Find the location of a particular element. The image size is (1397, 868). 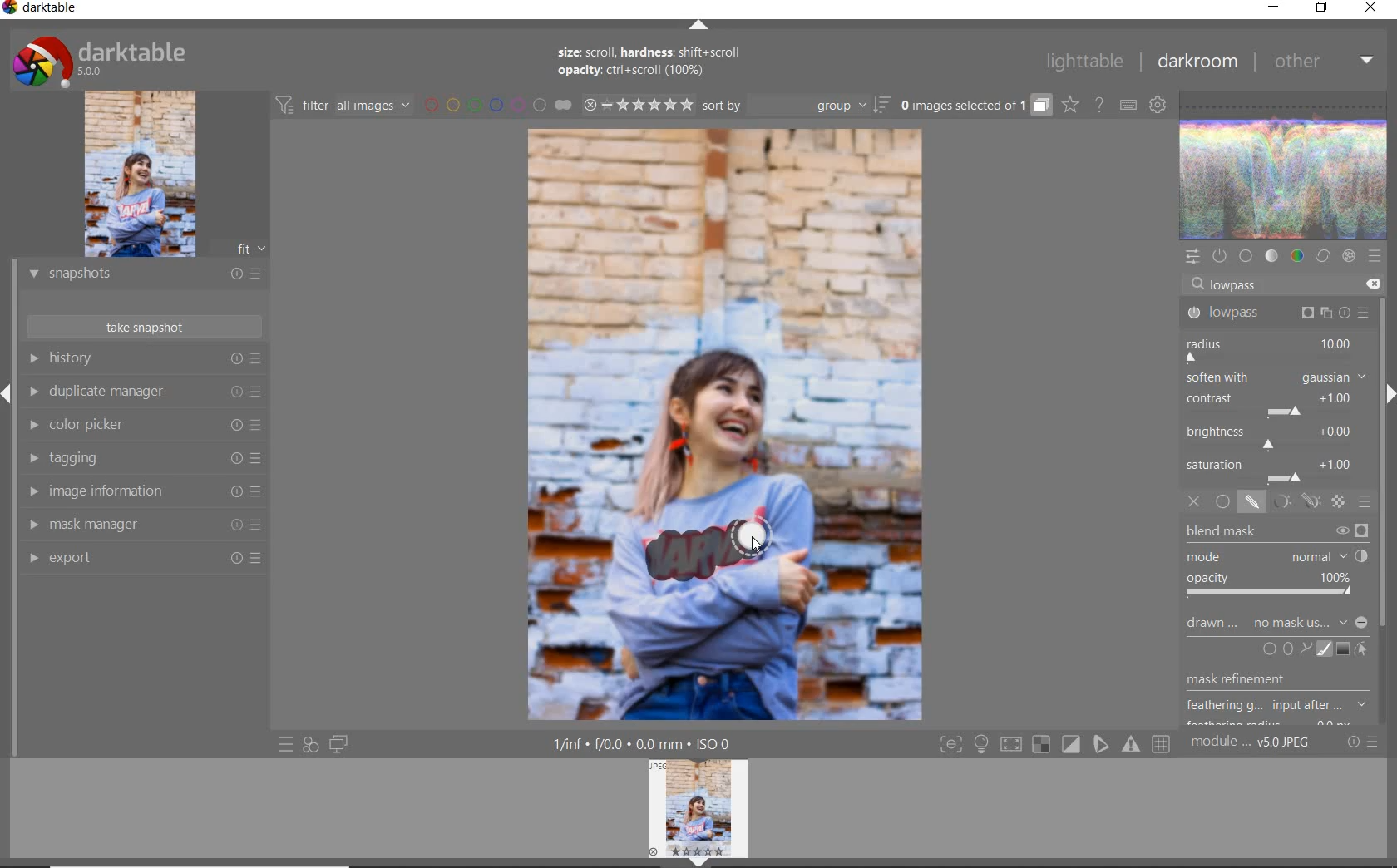

Toggle modes is located at coordinates (1054, 745).